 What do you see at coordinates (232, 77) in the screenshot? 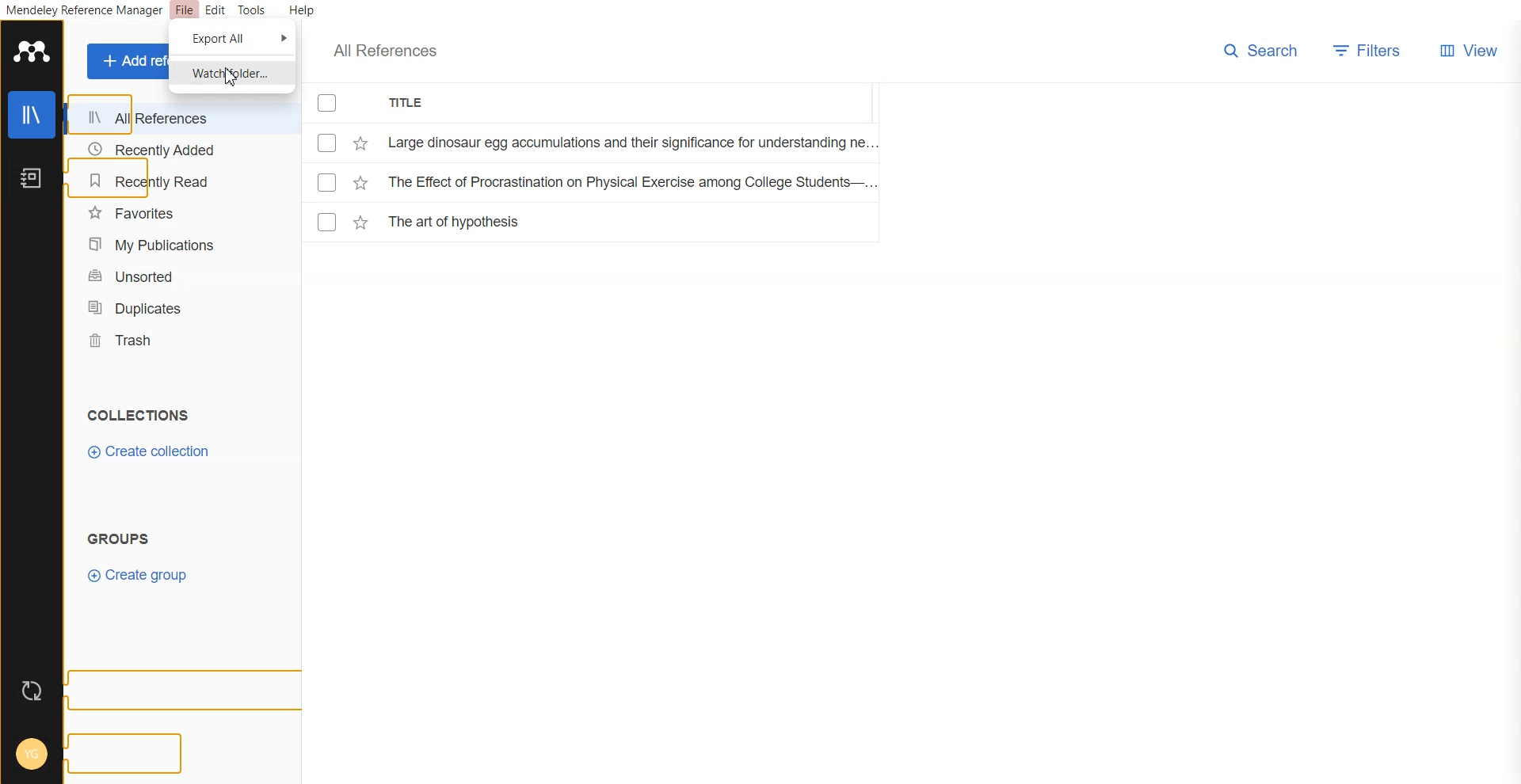
I see `Cursor` at bounding box center [232, 77].